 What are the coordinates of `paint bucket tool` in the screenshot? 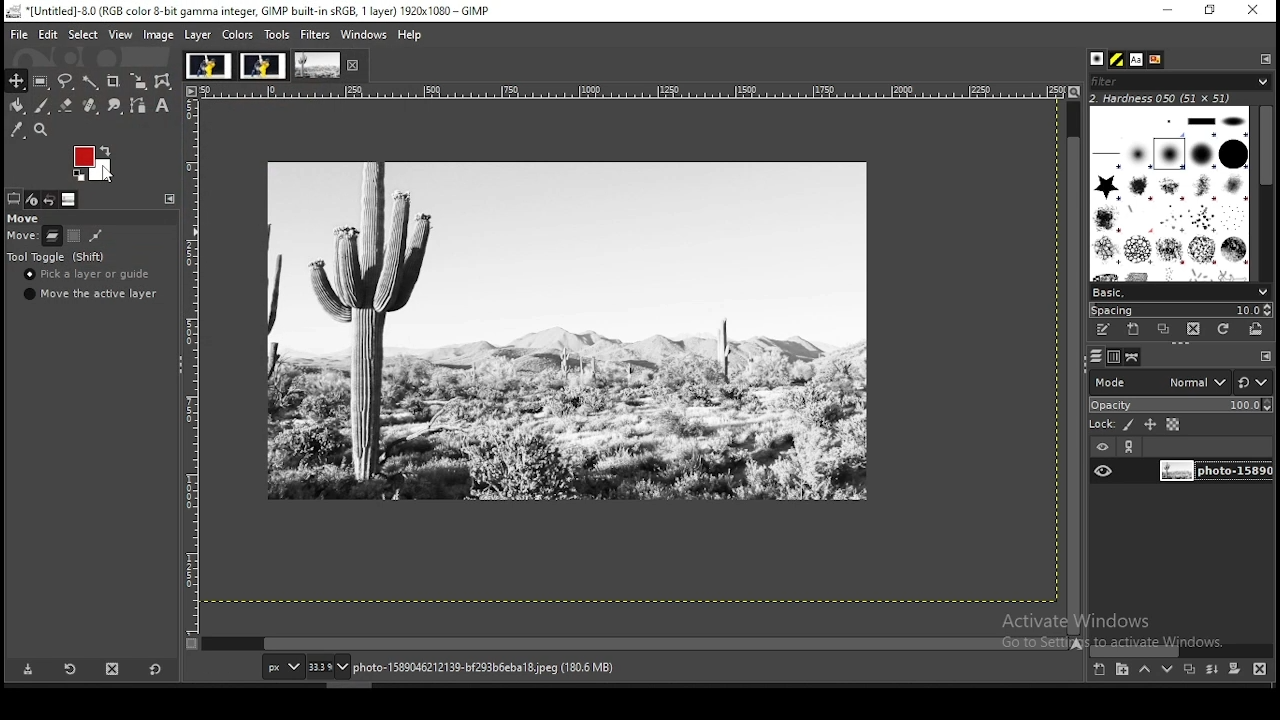 It's located at (17, 106).